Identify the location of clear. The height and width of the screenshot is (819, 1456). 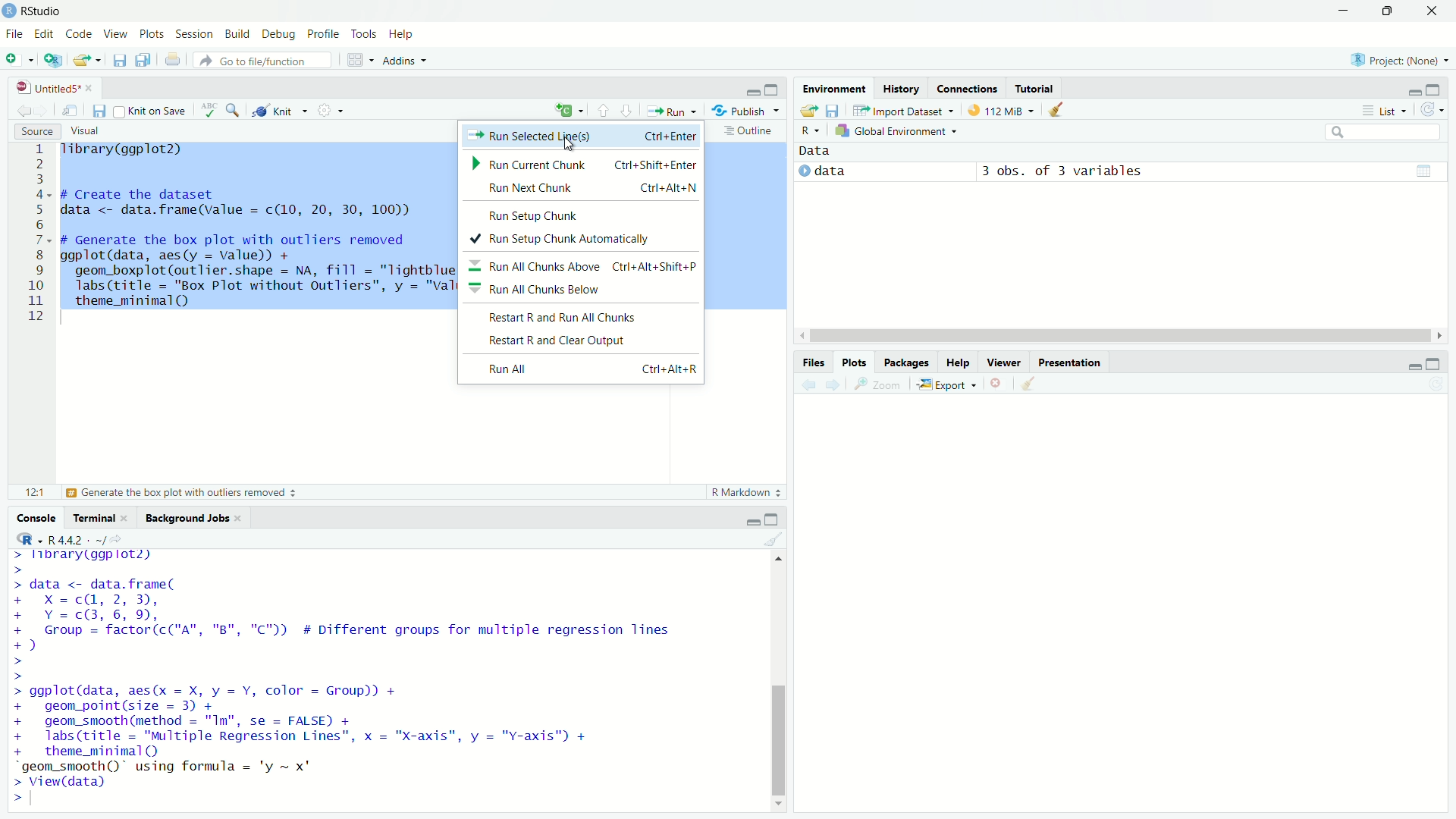
(1023, 382).